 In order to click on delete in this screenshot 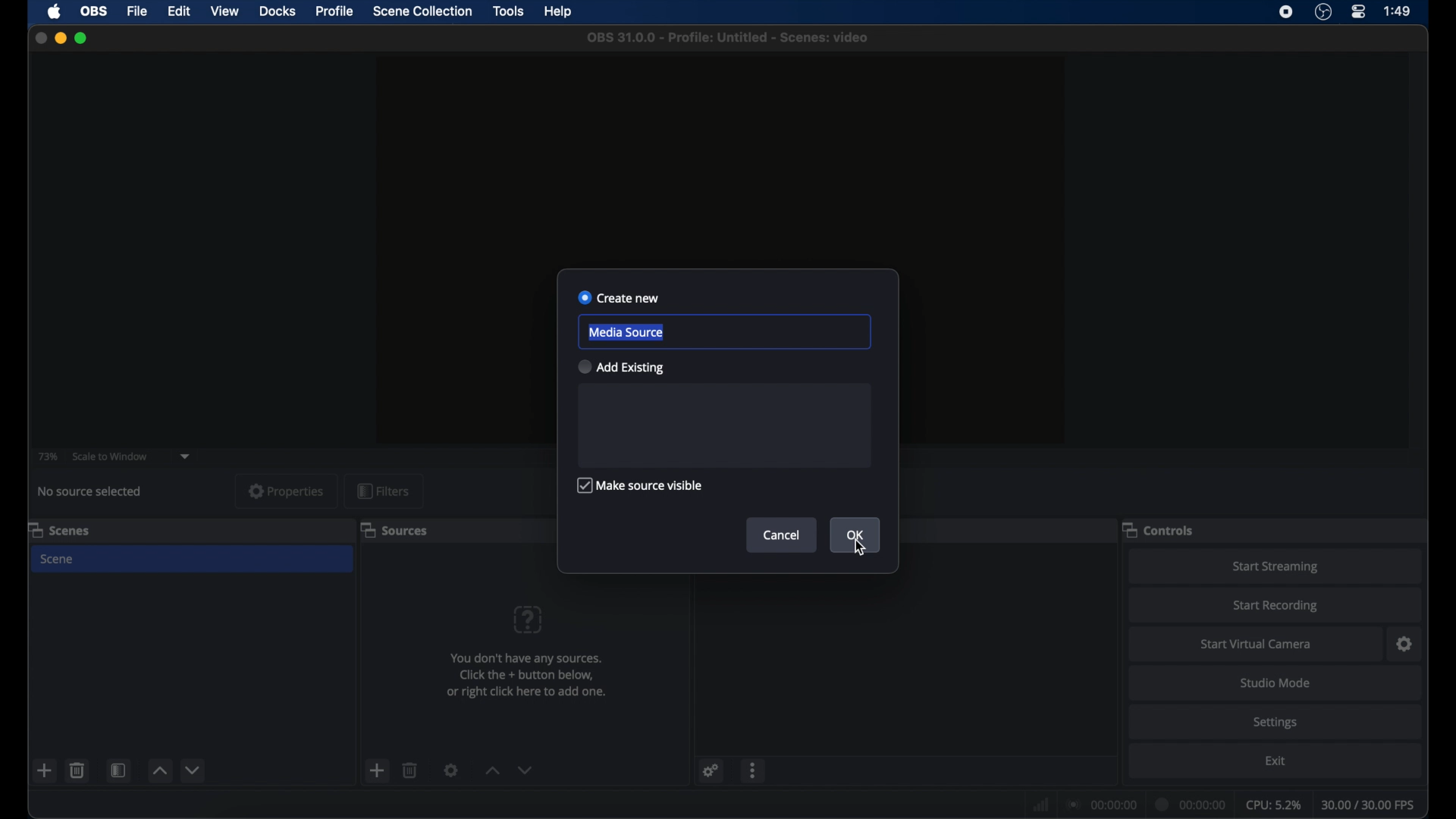, I will do `click(410, 771)`.